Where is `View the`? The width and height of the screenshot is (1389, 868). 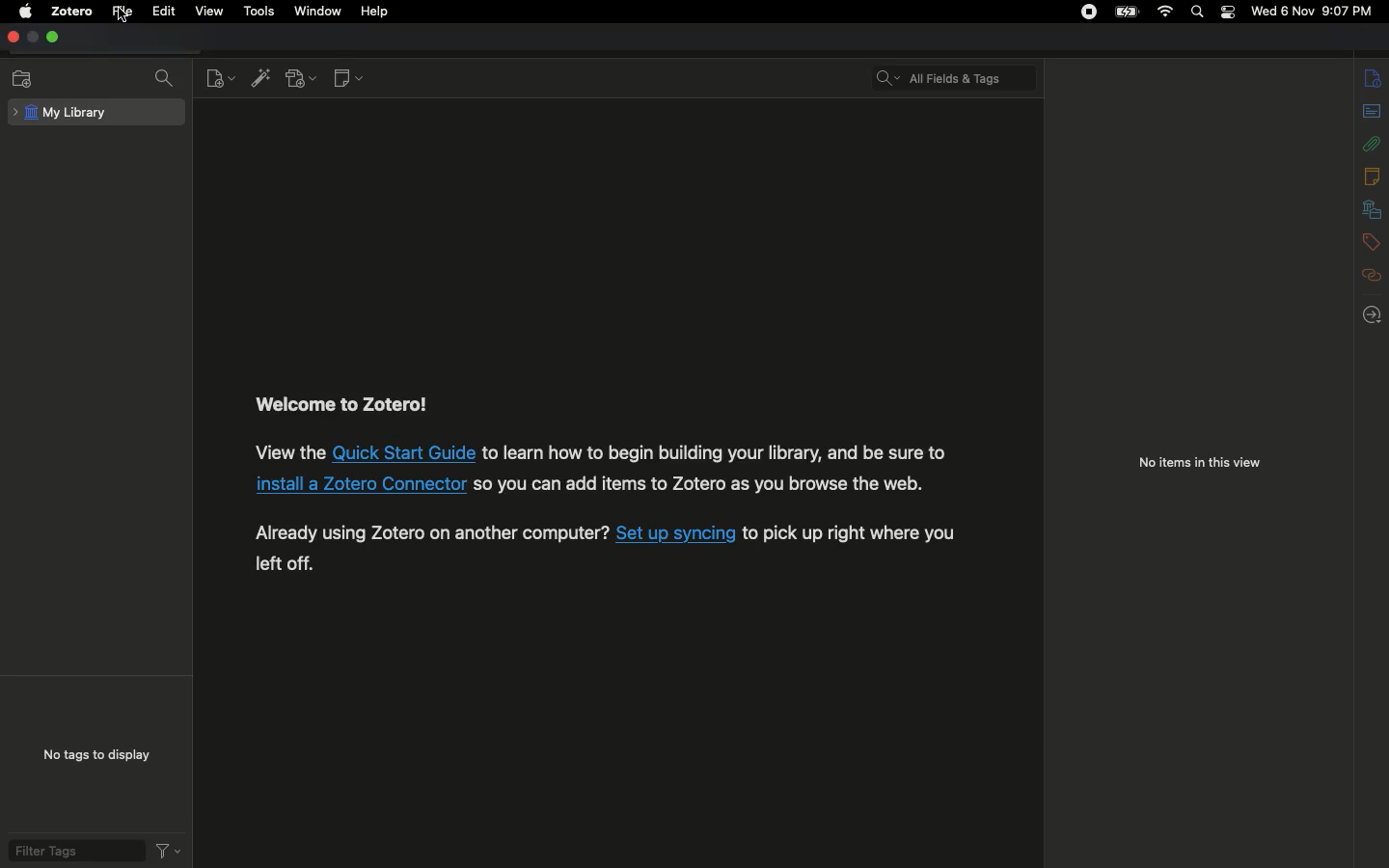
View the is located at coordinates (288, 451).